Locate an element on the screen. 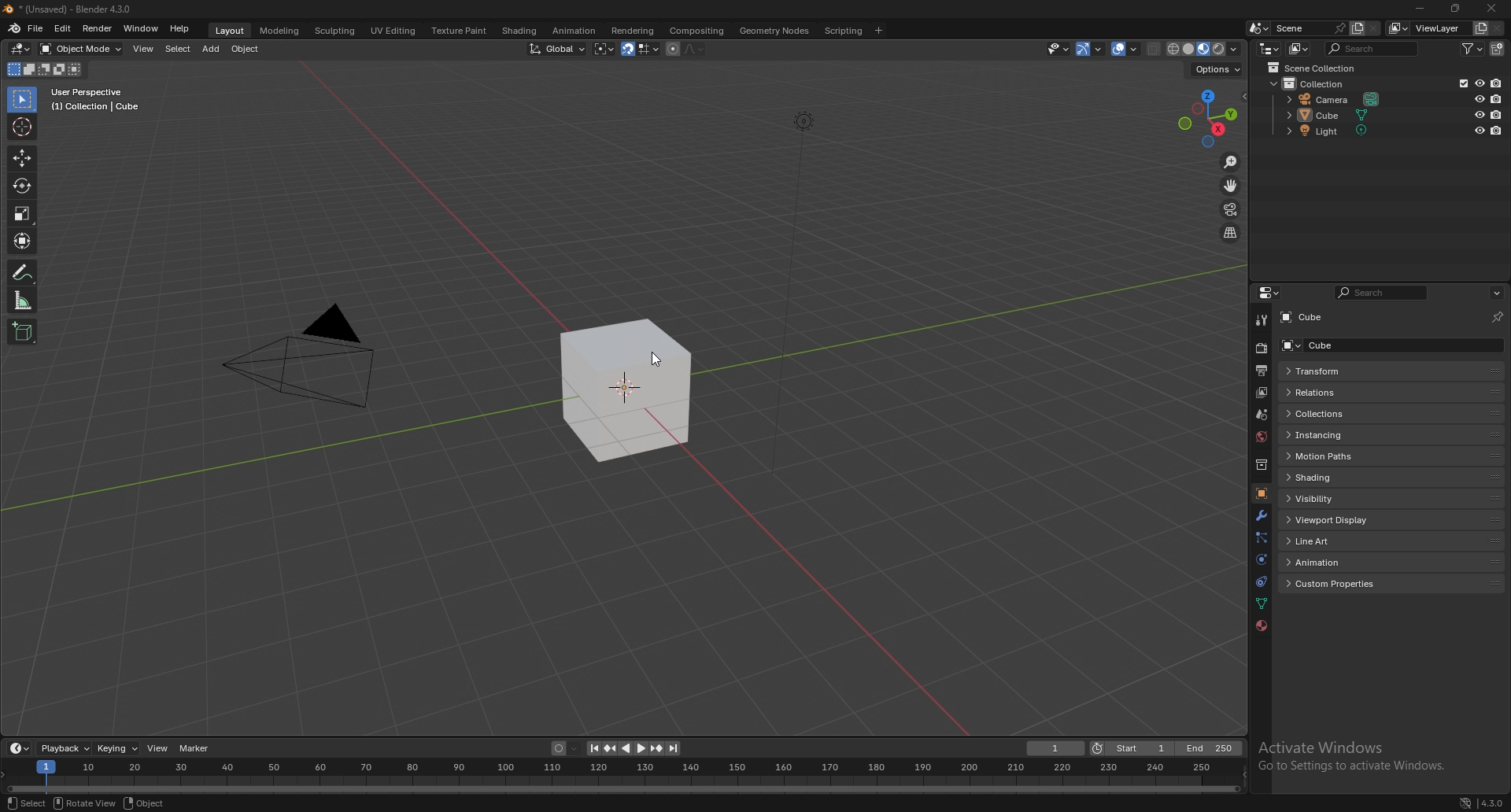  1 is located at coordinates (1056, 748).